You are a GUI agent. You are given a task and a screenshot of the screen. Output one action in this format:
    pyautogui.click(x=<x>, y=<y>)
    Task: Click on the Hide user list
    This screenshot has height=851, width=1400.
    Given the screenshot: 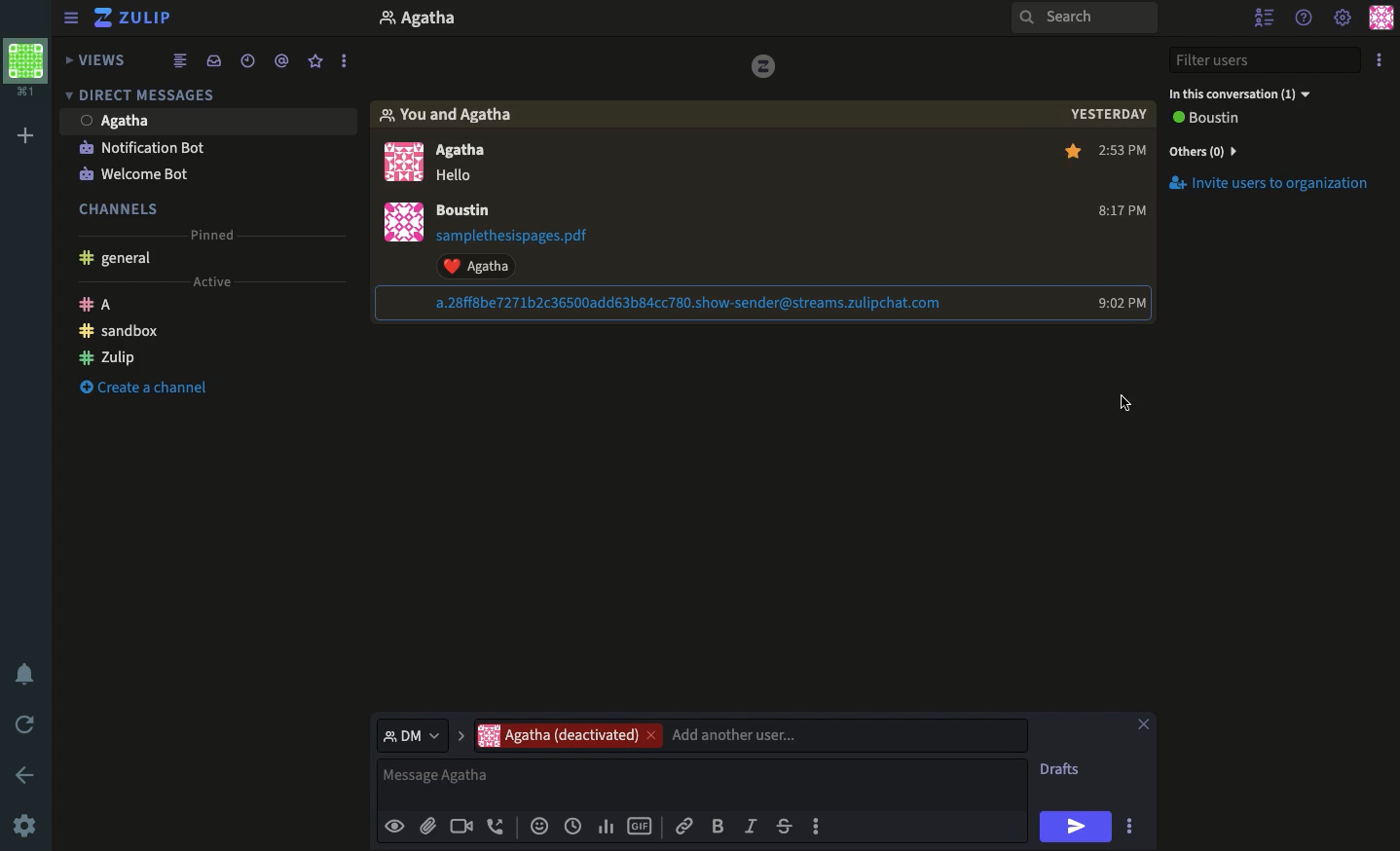 What is the action you would take?
    pyautogui.click(x=1268, y=16)
    